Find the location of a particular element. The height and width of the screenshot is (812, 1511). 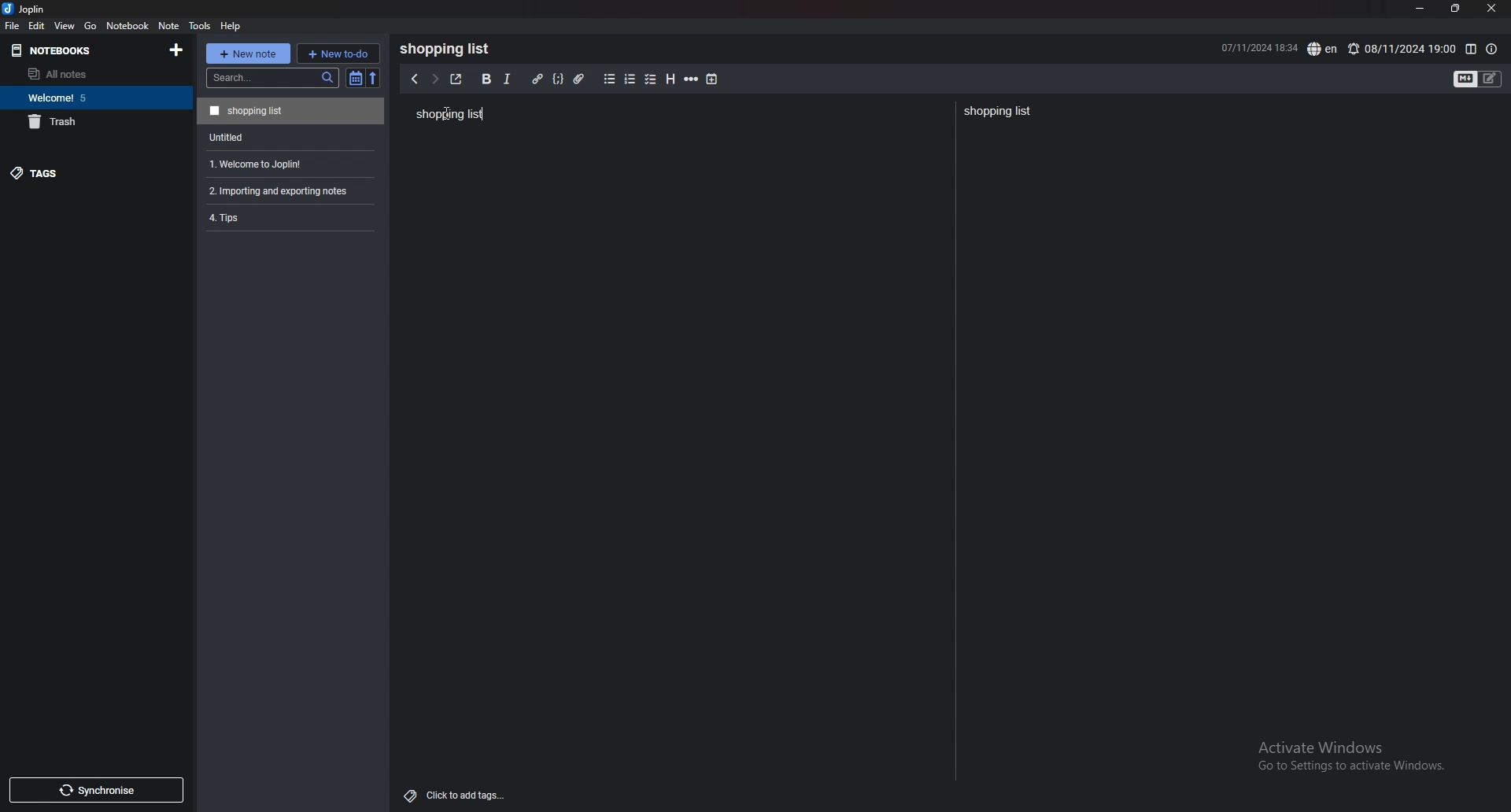

Untitled is located at coordinates (288, 136).